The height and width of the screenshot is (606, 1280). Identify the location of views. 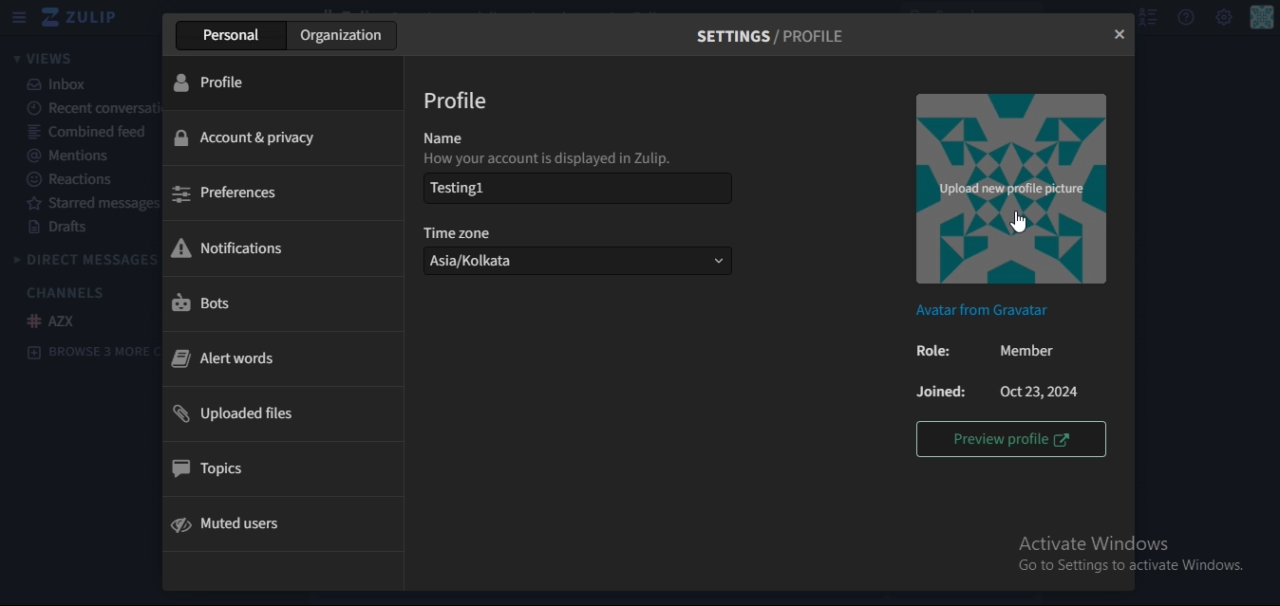
(48, 58).